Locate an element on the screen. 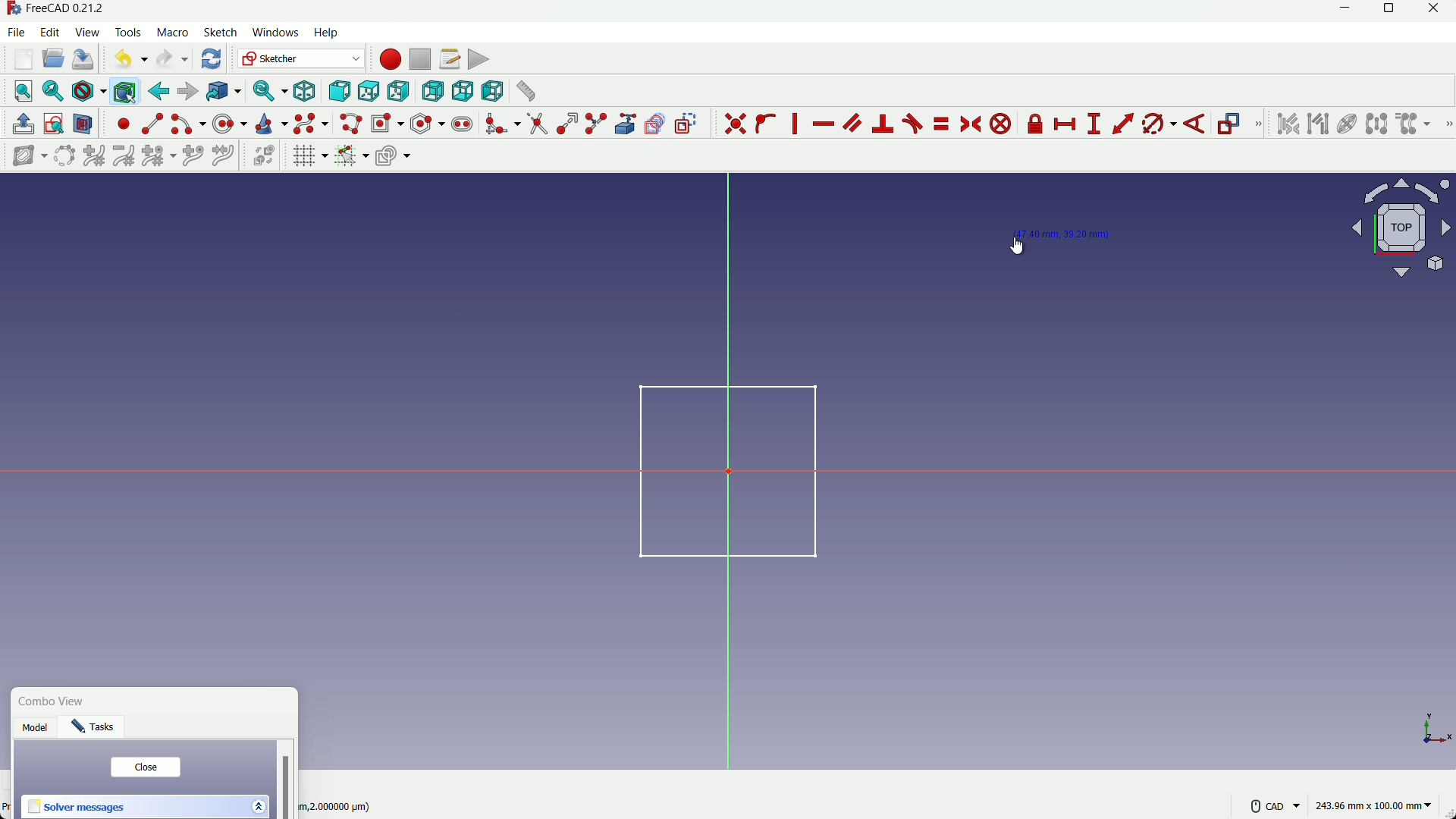 The image size is (1456, 819). open file is located at coordinates (51, 60).